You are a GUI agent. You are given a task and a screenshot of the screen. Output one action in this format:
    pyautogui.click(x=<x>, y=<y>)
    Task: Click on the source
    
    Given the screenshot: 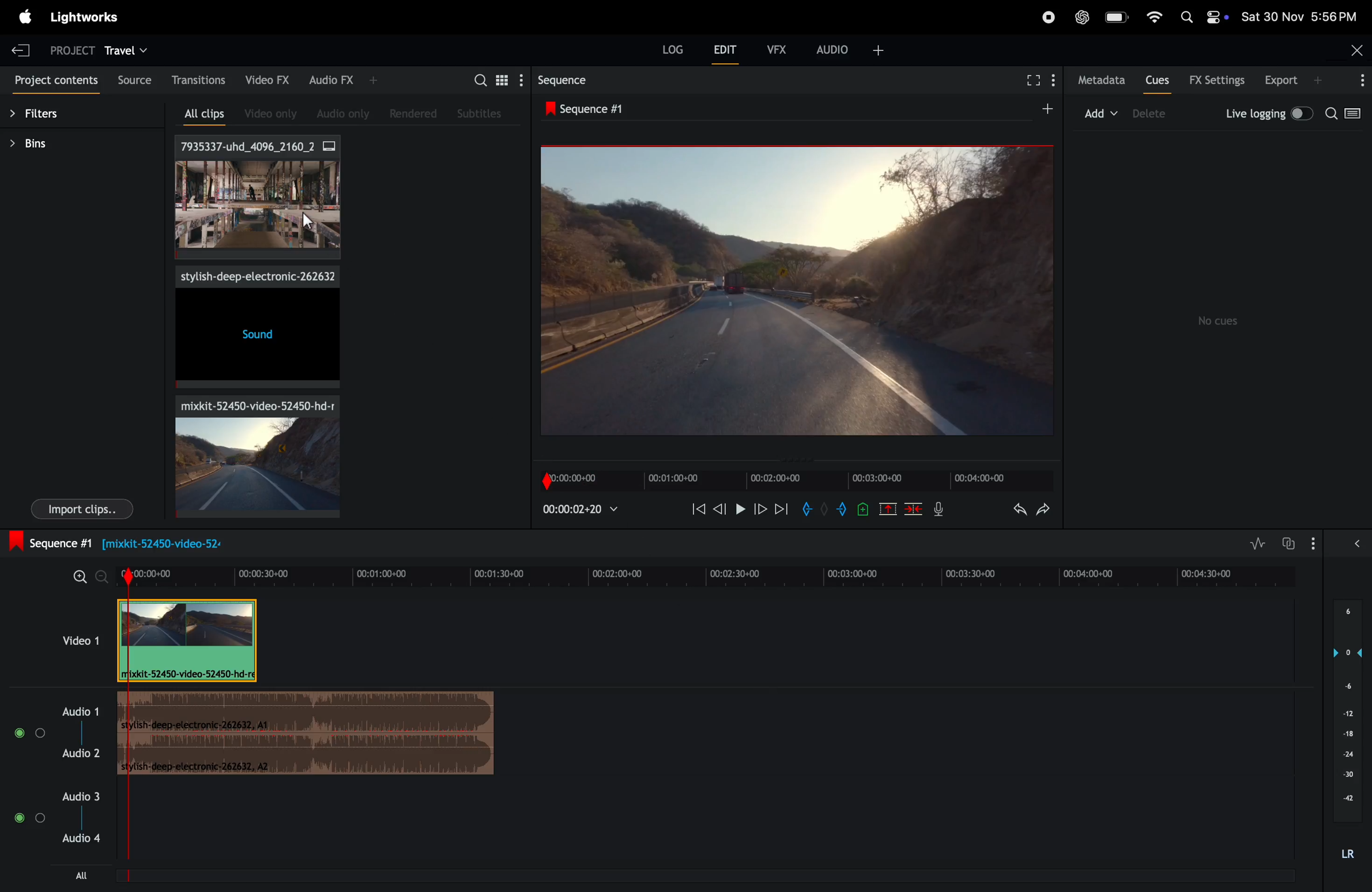 What is the action you would take?
    pyautogui.click(x=133, y=78)
    